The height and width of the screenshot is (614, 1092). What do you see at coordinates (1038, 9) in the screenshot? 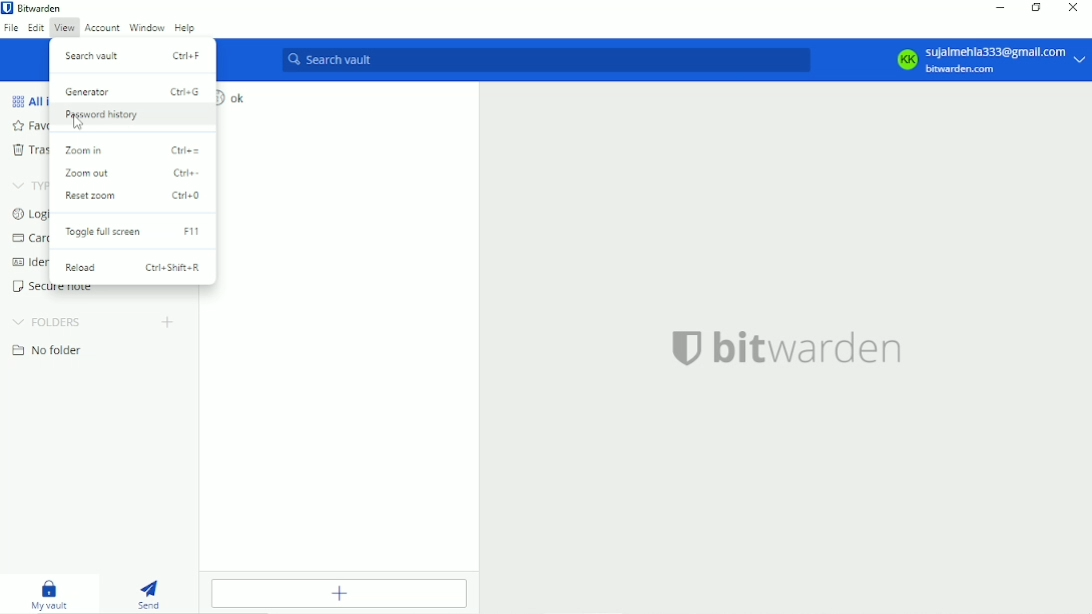
I see `Restore down` at bounding box center [1038, 9].